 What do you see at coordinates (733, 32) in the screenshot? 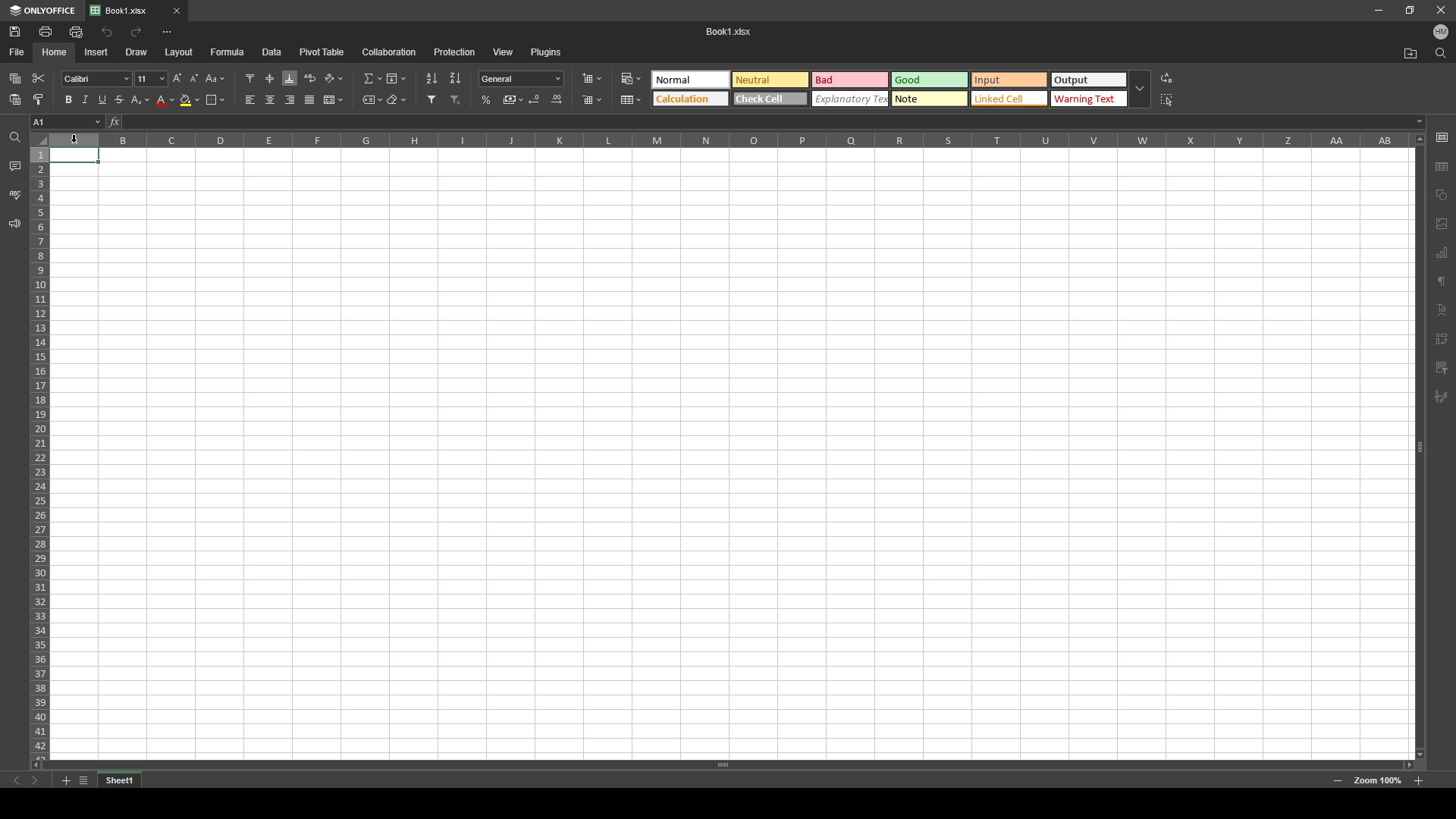
I see `Booki .Xlsx` at bounding box center [733, 32].